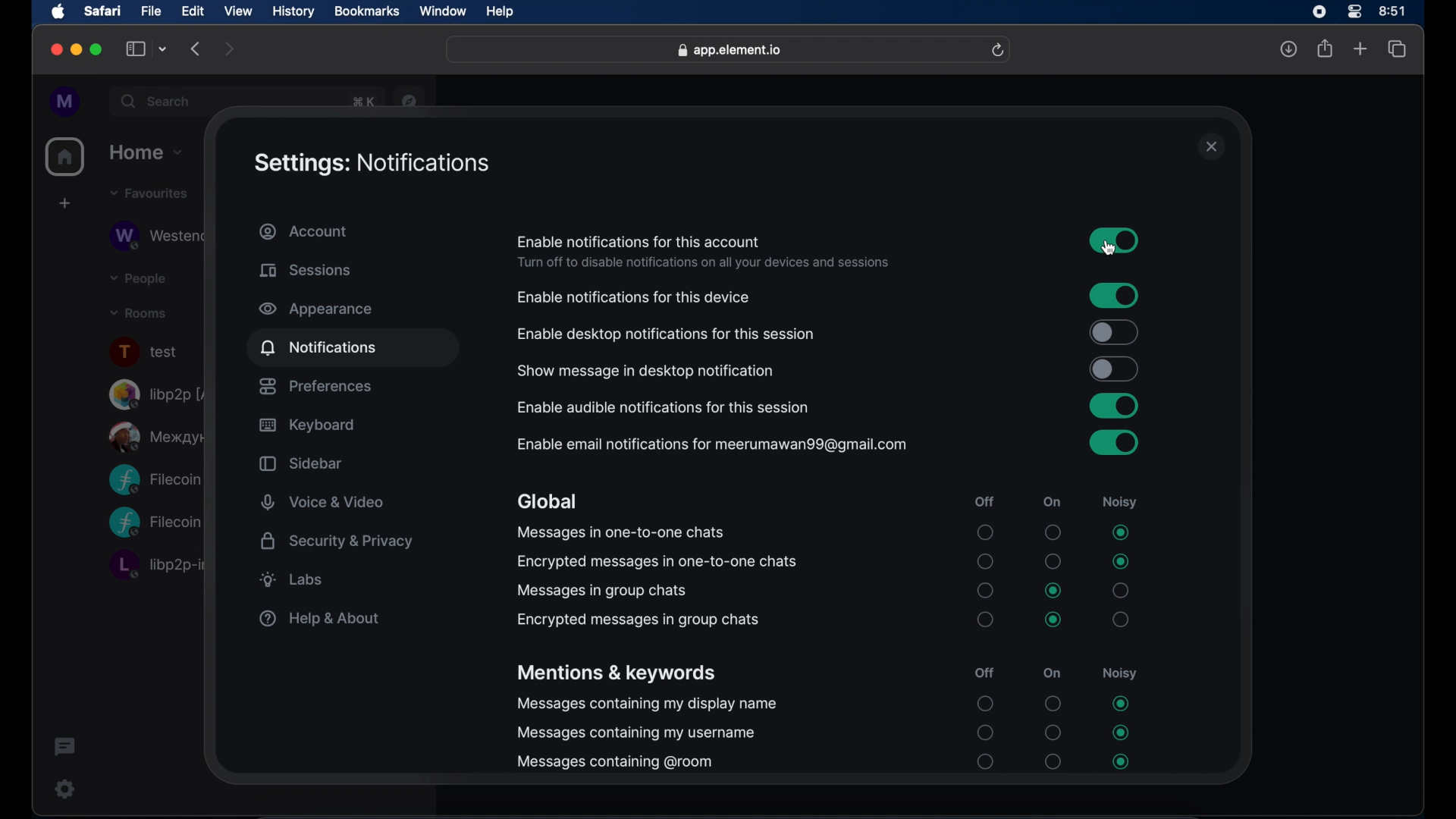 The height and width of the screenshot is (819, 1456). Describe the element at coordinates (196, 49) in the screenshot. I see `backward` at that location.